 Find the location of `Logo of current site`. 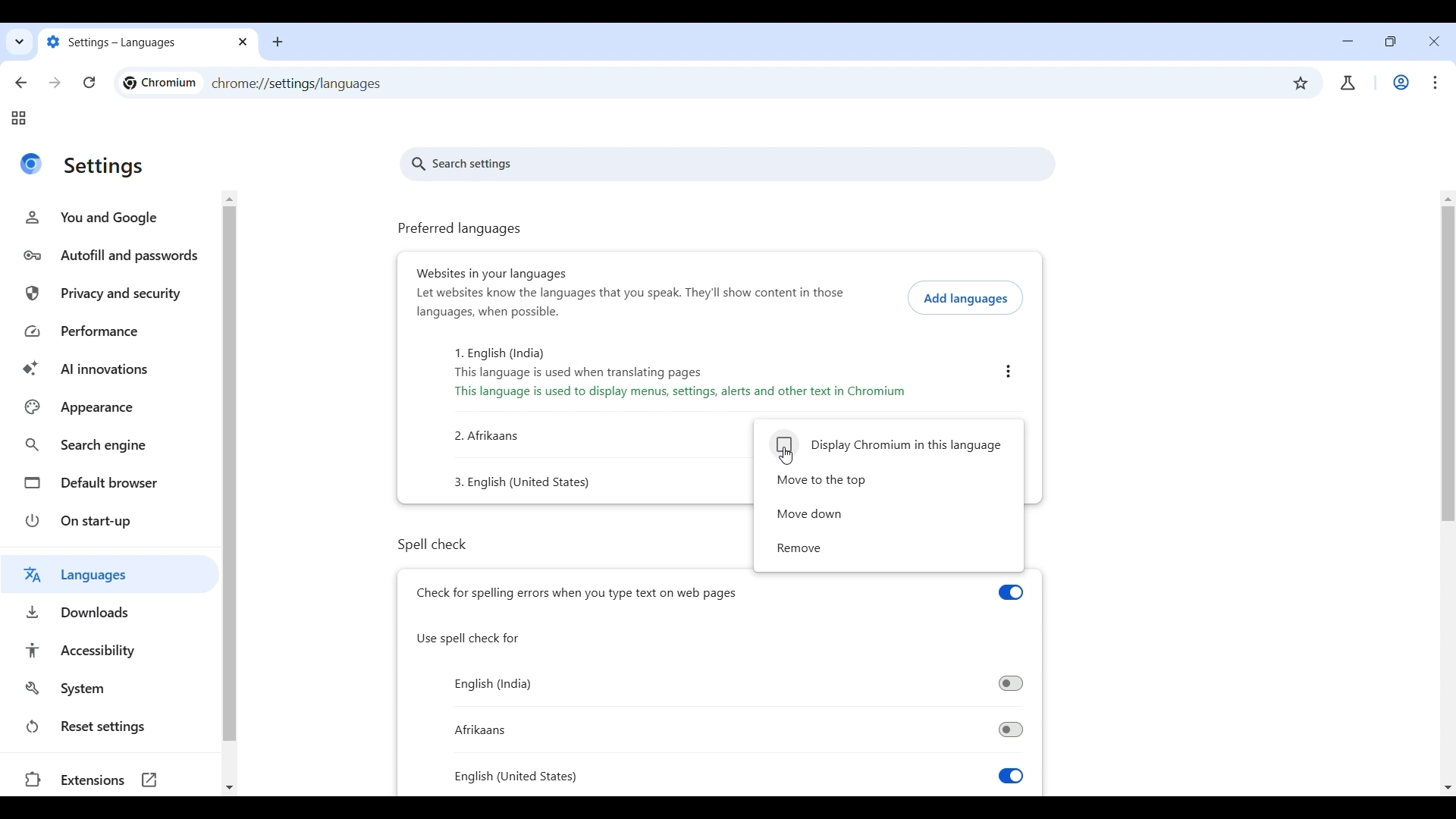

Logo of current site is located at coordinates (30, 164).